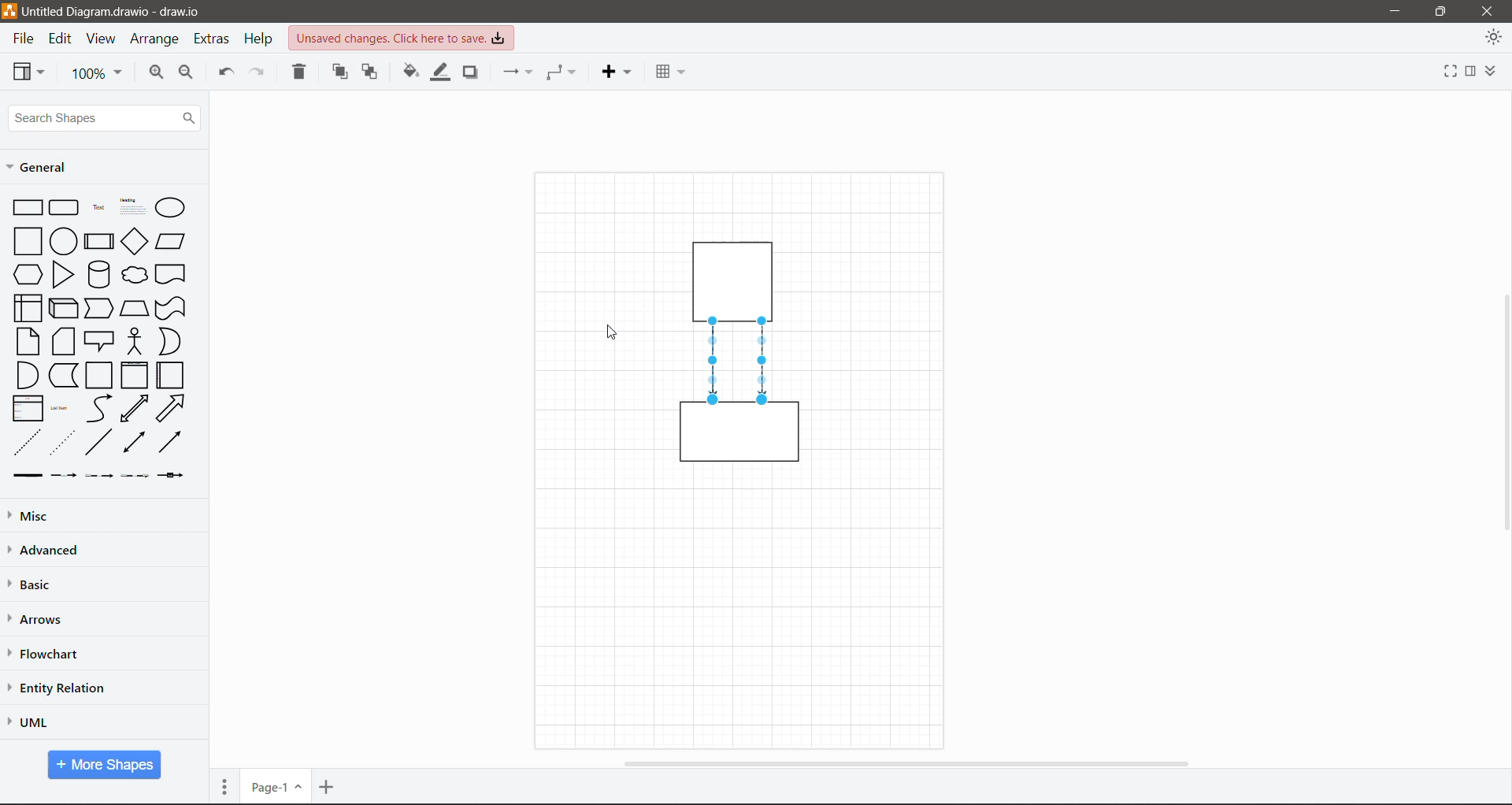 The height and width of the screenshot is (805, 1512). What do you see at coordinates (134, 340) in the screenshot?
I see `Actor` at bounding box center [134, 340].